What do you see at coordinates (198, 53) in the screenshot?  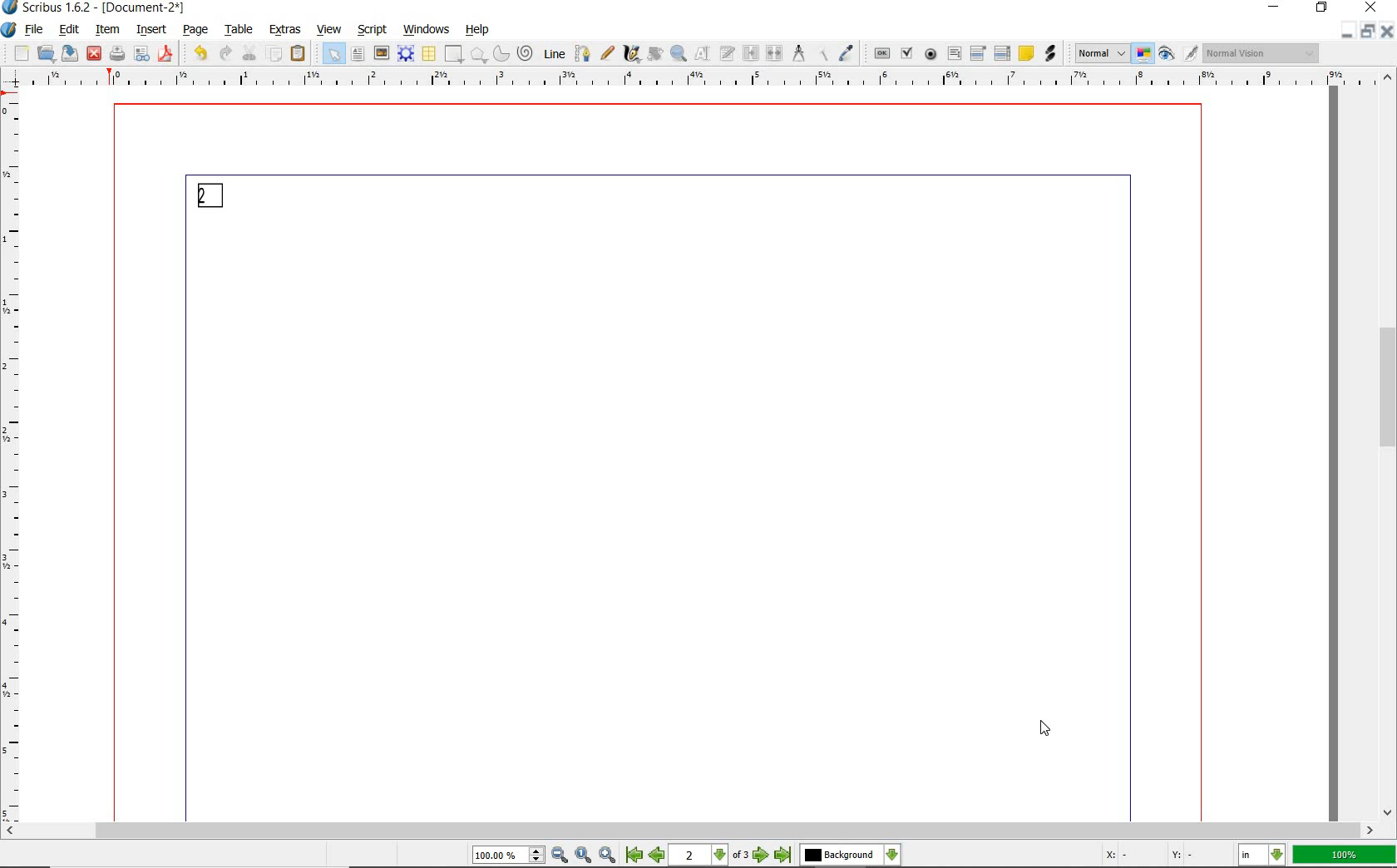 I see `undo` at bounding box center [198, 53].